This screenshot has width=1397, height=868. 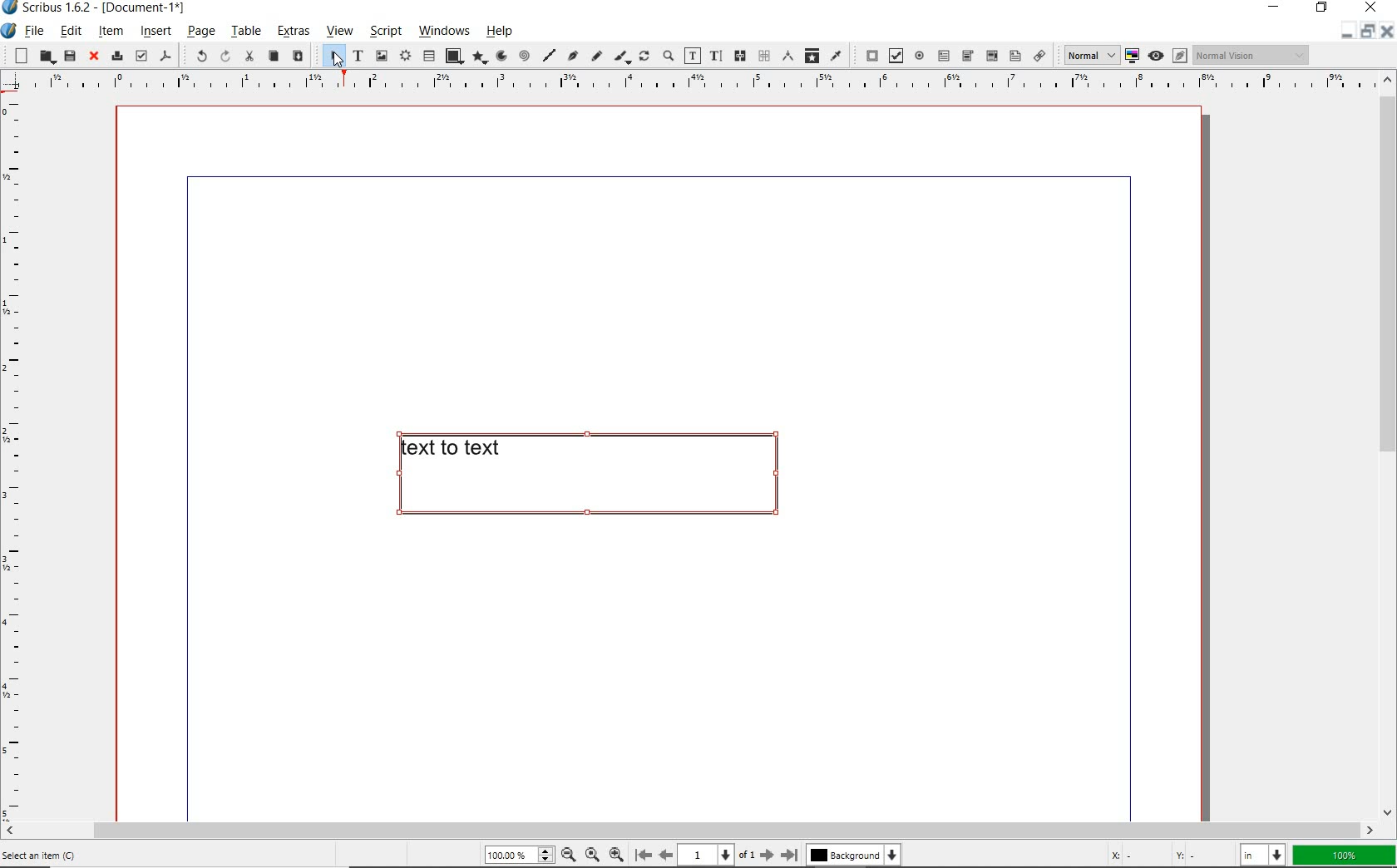 What do you see at coordinates (1040, 55) in the screenshot?
I see `link annotation` at bounding box center [1040, 55].